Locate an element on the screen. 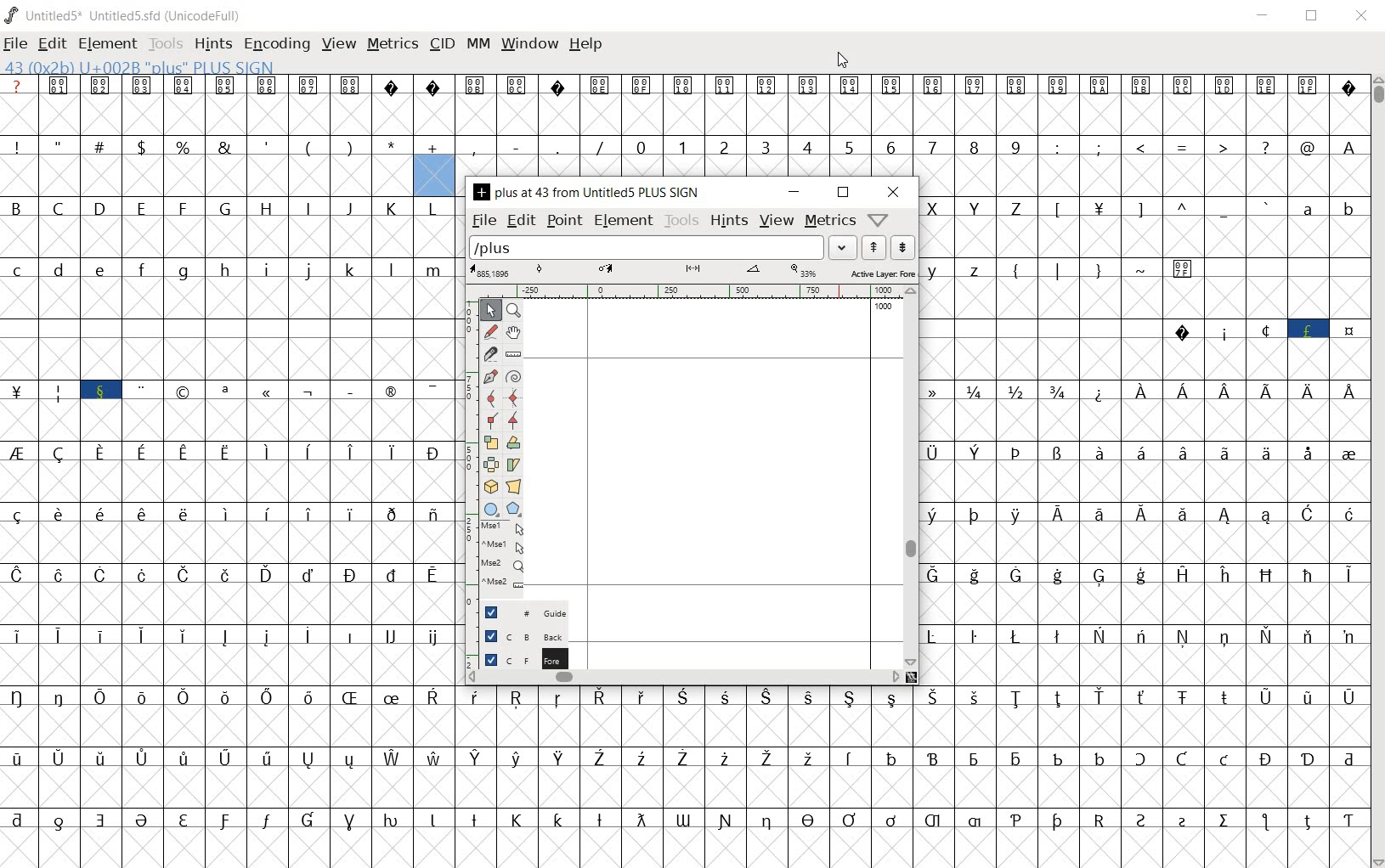 The width and height of the screenshot is (1385, 868). scrollbar is located at coordinates (913, 479).